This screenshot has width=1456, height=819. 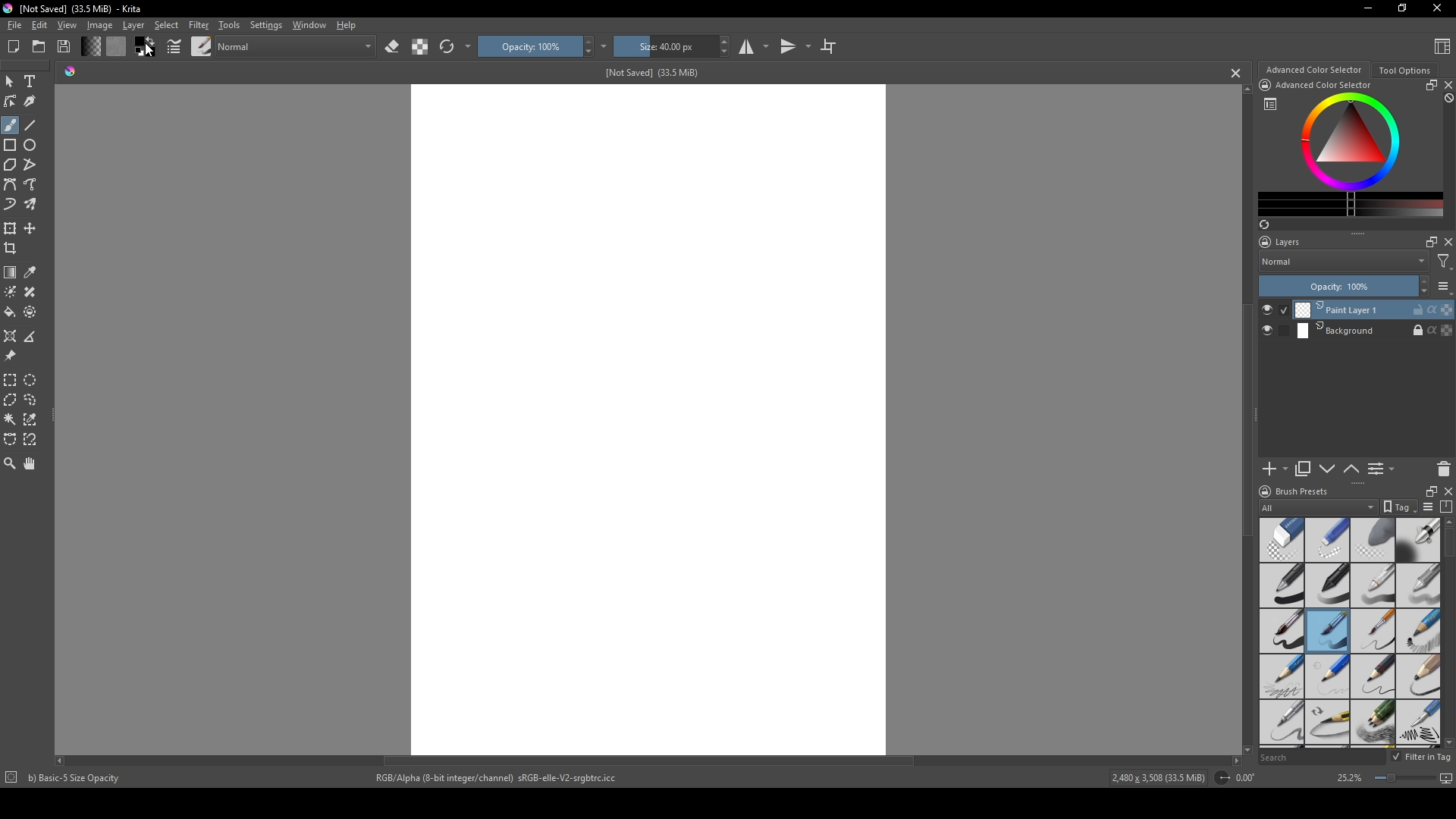 I want to click on pencil, so click(x=1280, y=676).